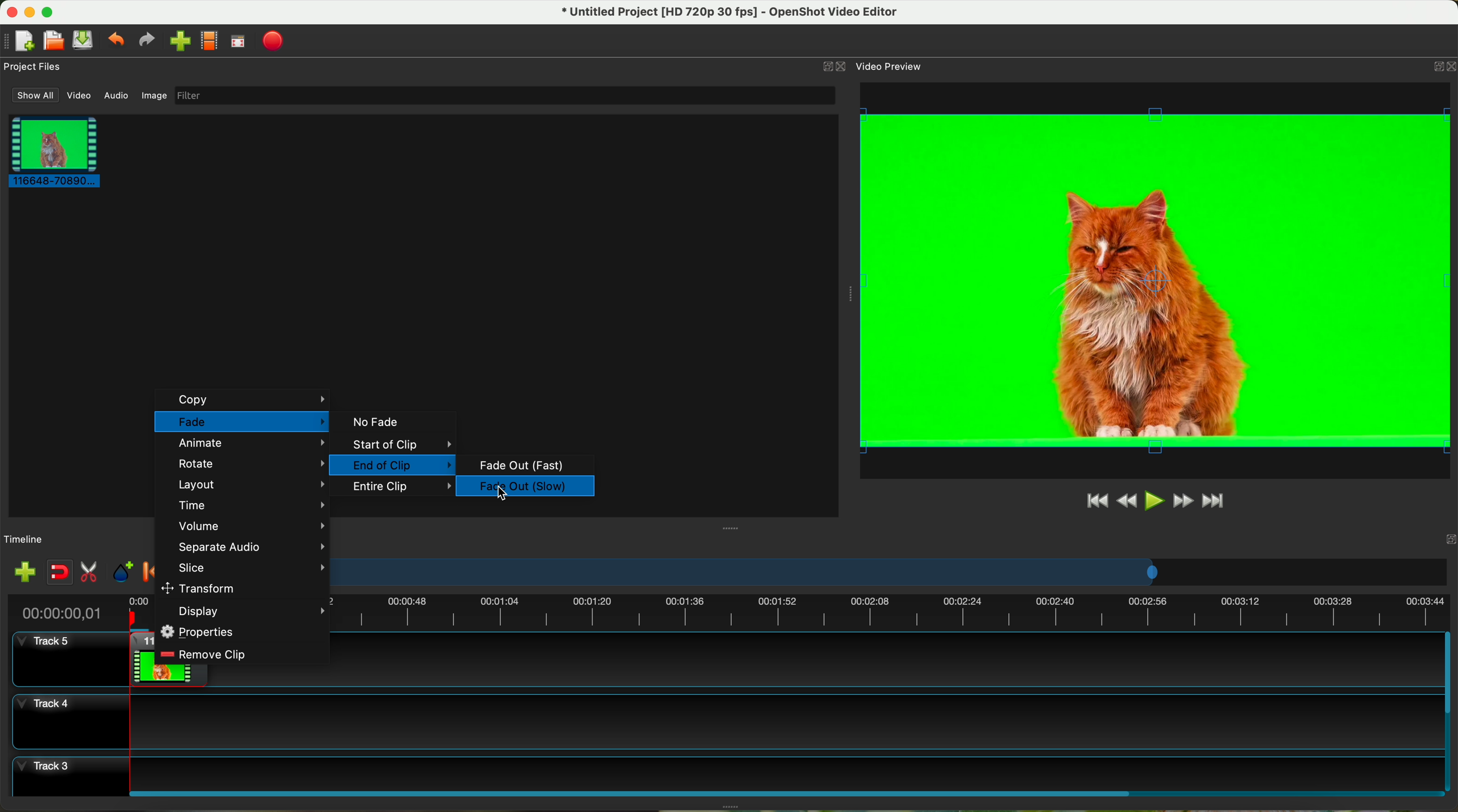  I want to click on disable snapping, so click(60, 572).